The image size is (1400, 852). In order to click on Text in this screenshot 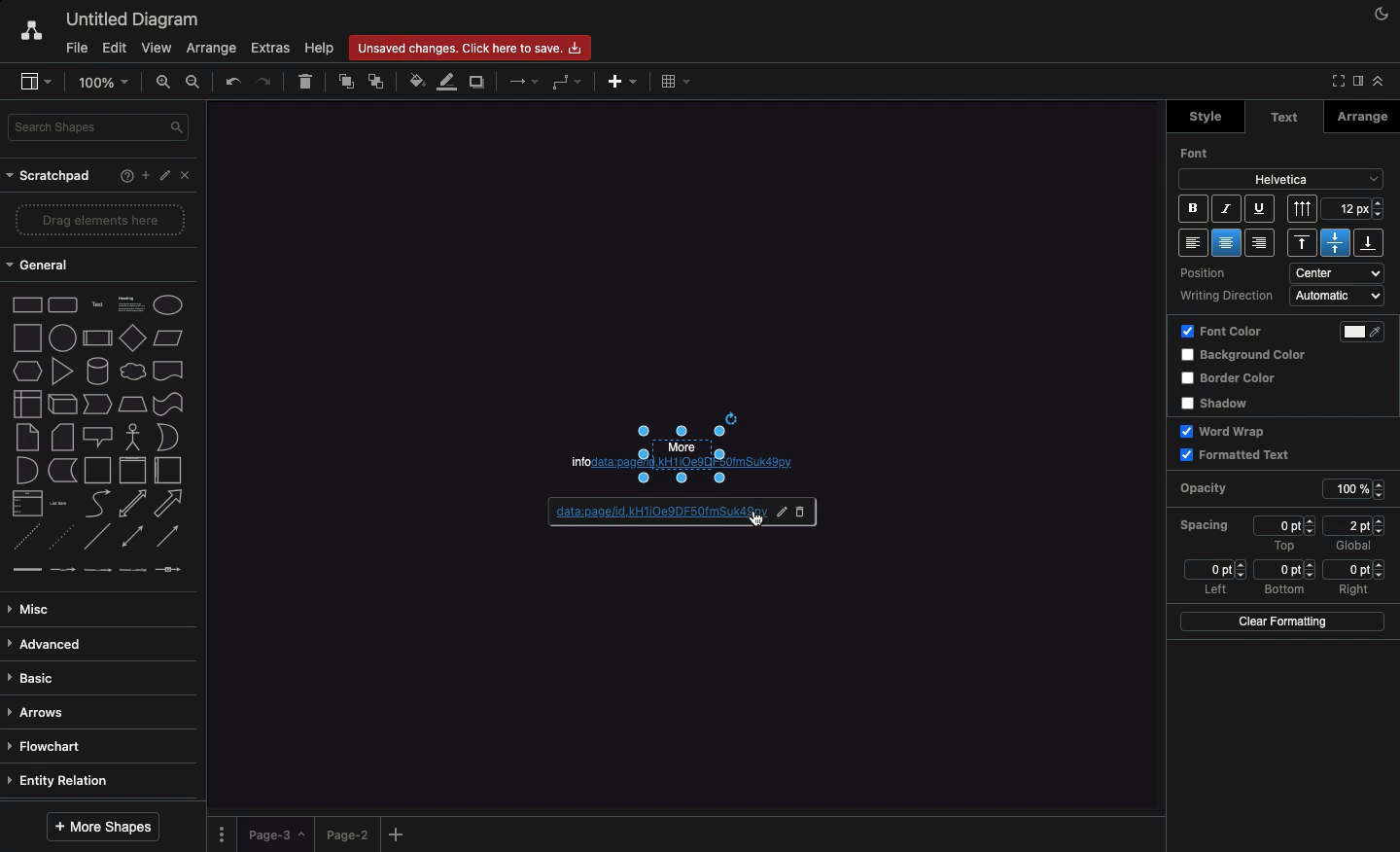, I will do `click(1284, 118)`.